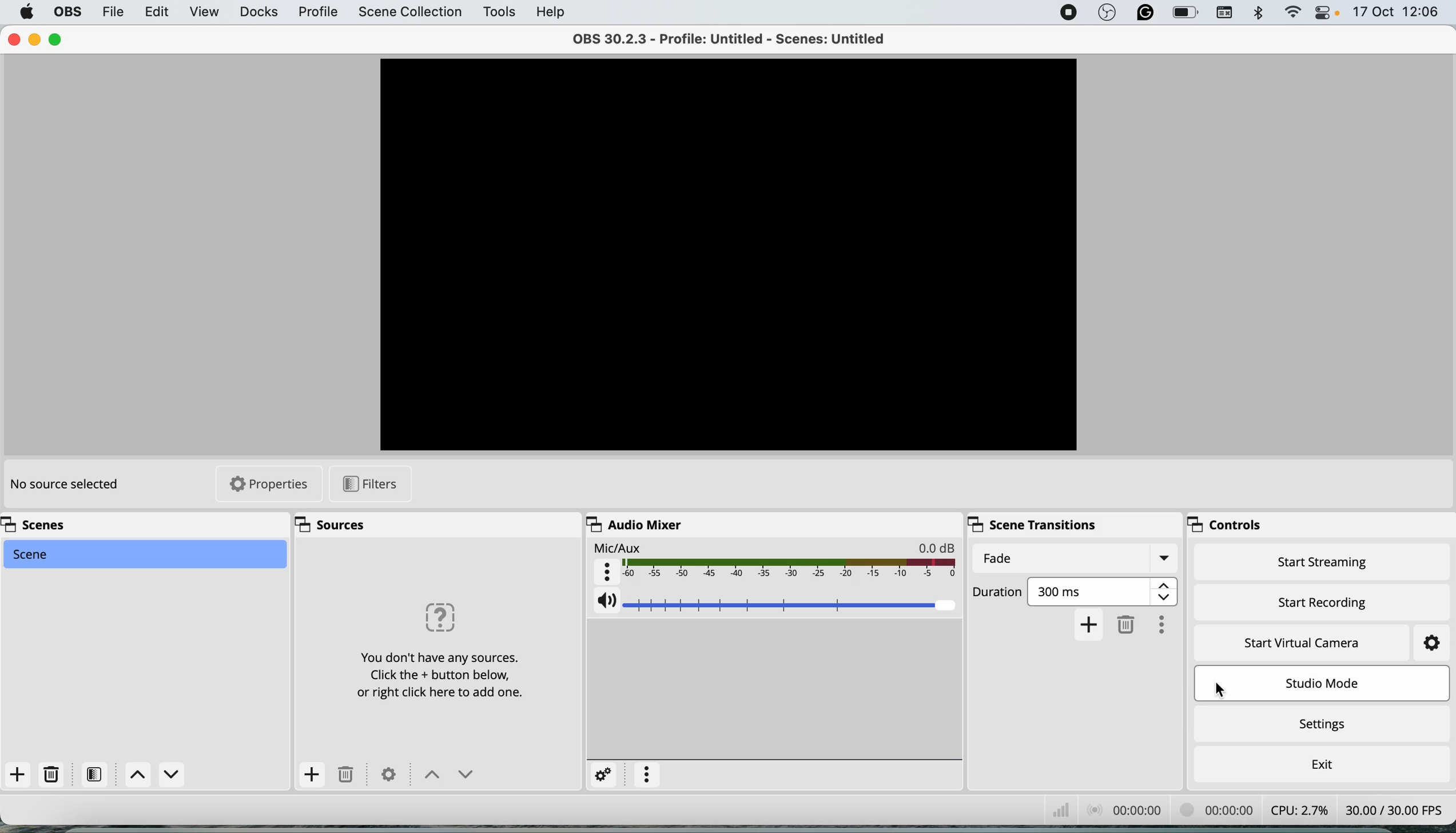 The height and width of the screenshot is (833, 1456). Describe the element at coordinates (777, 600) in the screenshot. I see `mic aux audio volume` at that location.